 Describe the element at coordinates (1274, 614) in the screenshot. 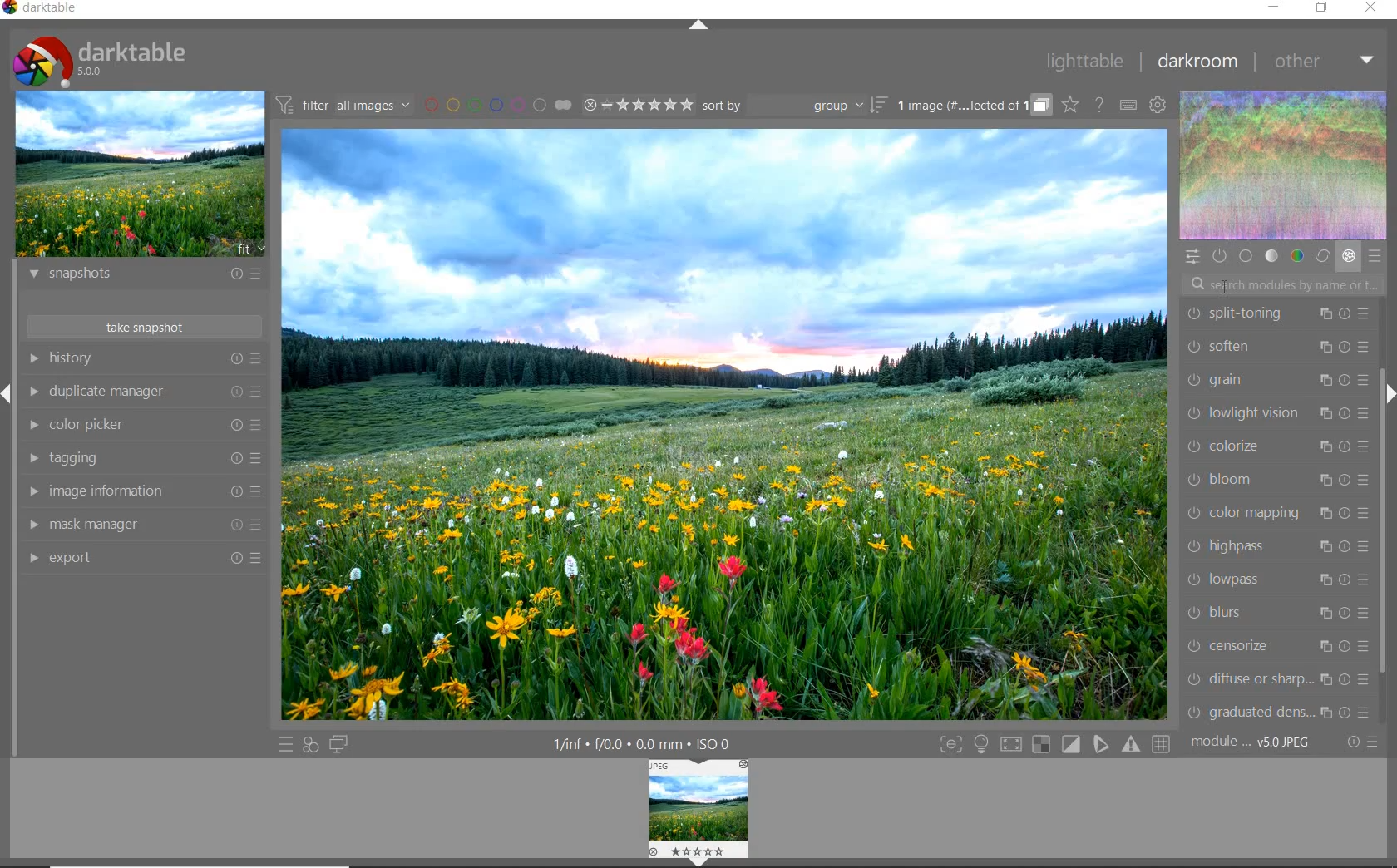

I see `blurs` at that location.